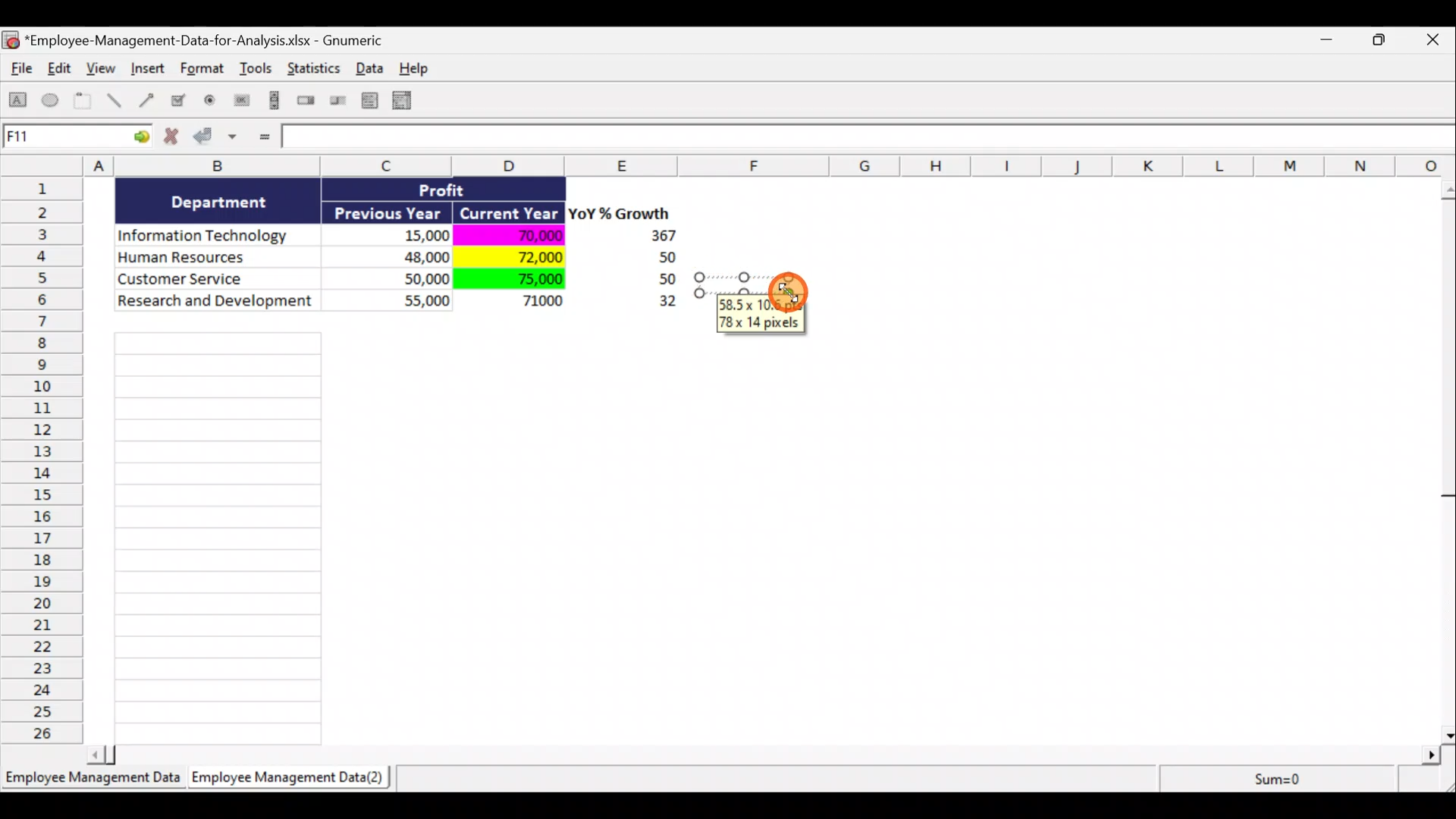  I want to click on Data, so click(406, 256).